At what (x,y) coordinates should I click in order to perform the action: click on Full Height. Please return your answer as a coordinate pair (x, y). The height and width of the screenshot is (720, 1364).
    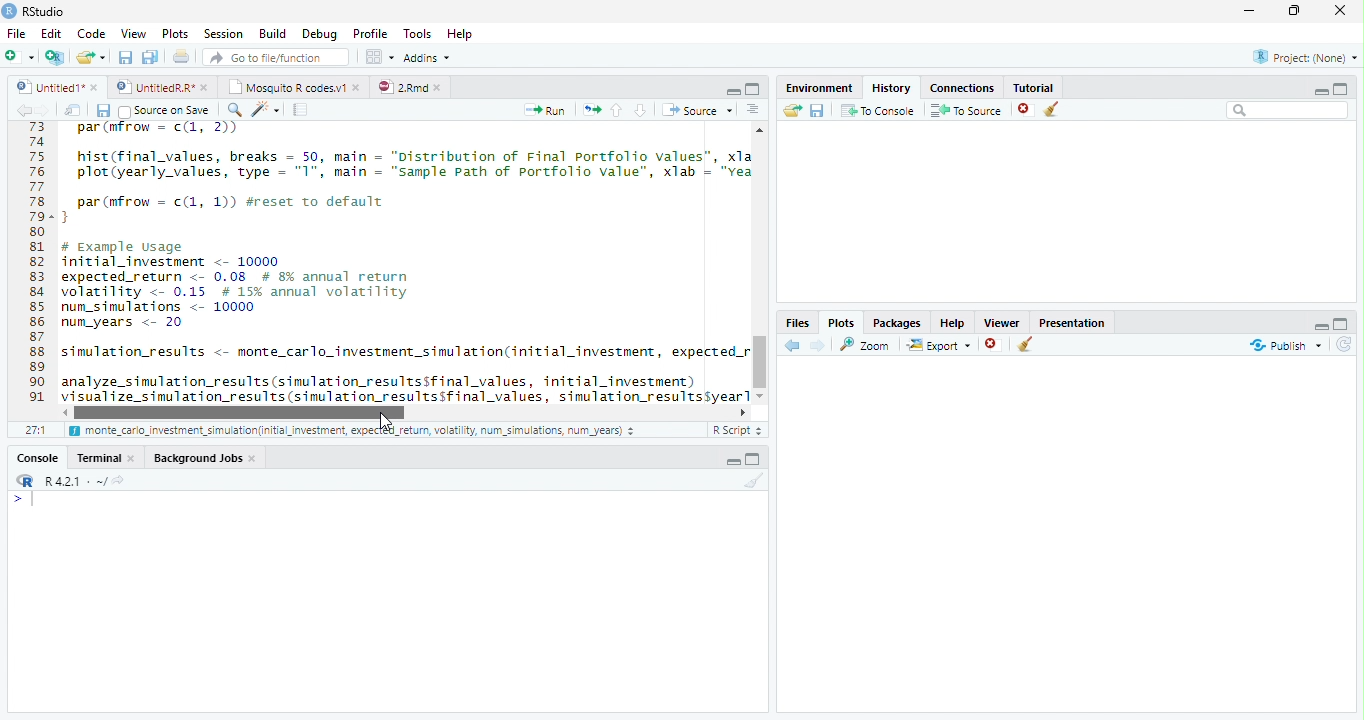
    Looking at the image, I should click on (756, 458).